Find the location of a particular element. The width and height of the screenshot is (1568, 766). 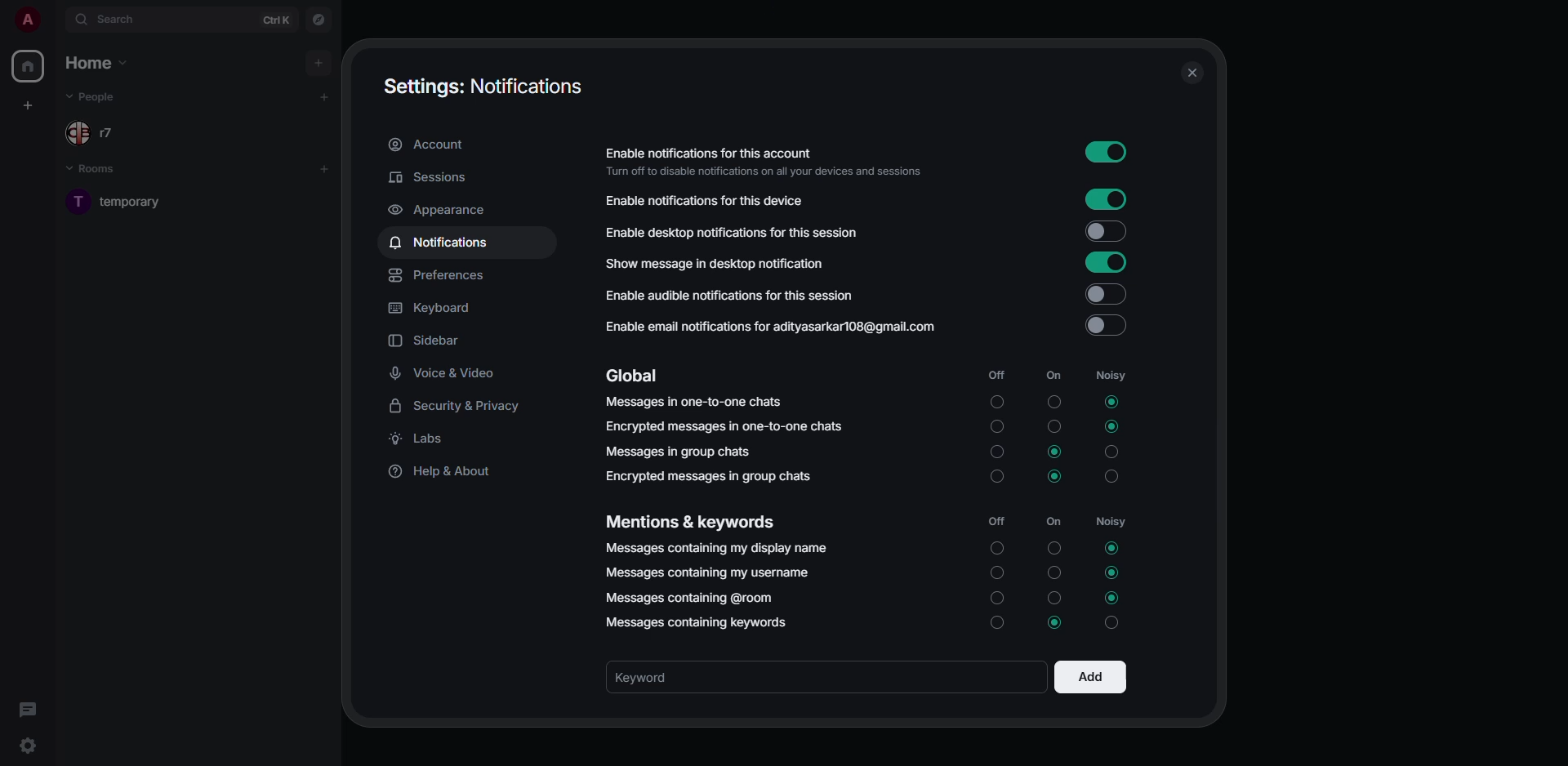

ctrl K is located at coordinates (277, 19).